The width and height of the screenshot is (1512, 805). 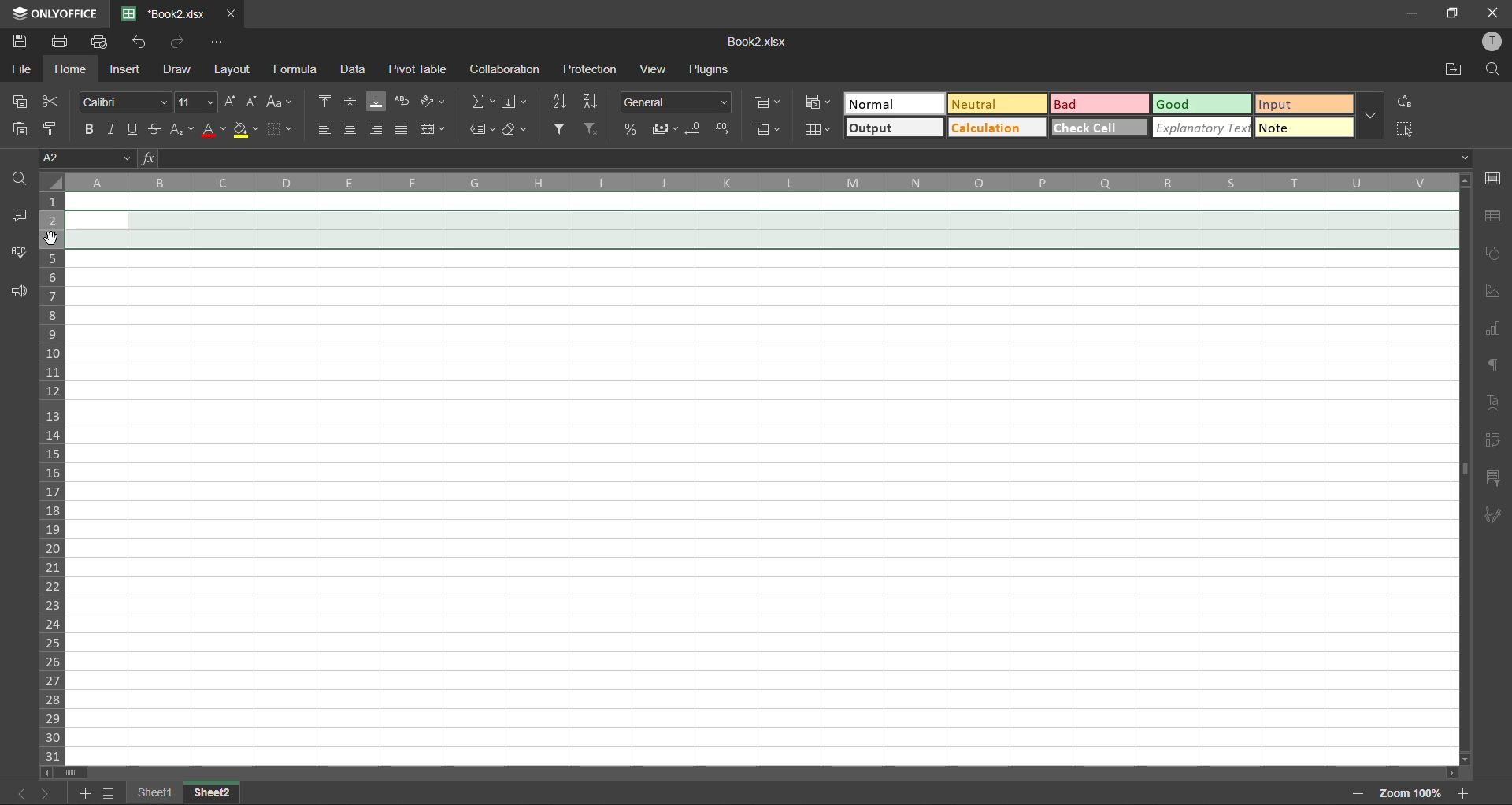 I want to click on increment size, so click(x=231, y=102).